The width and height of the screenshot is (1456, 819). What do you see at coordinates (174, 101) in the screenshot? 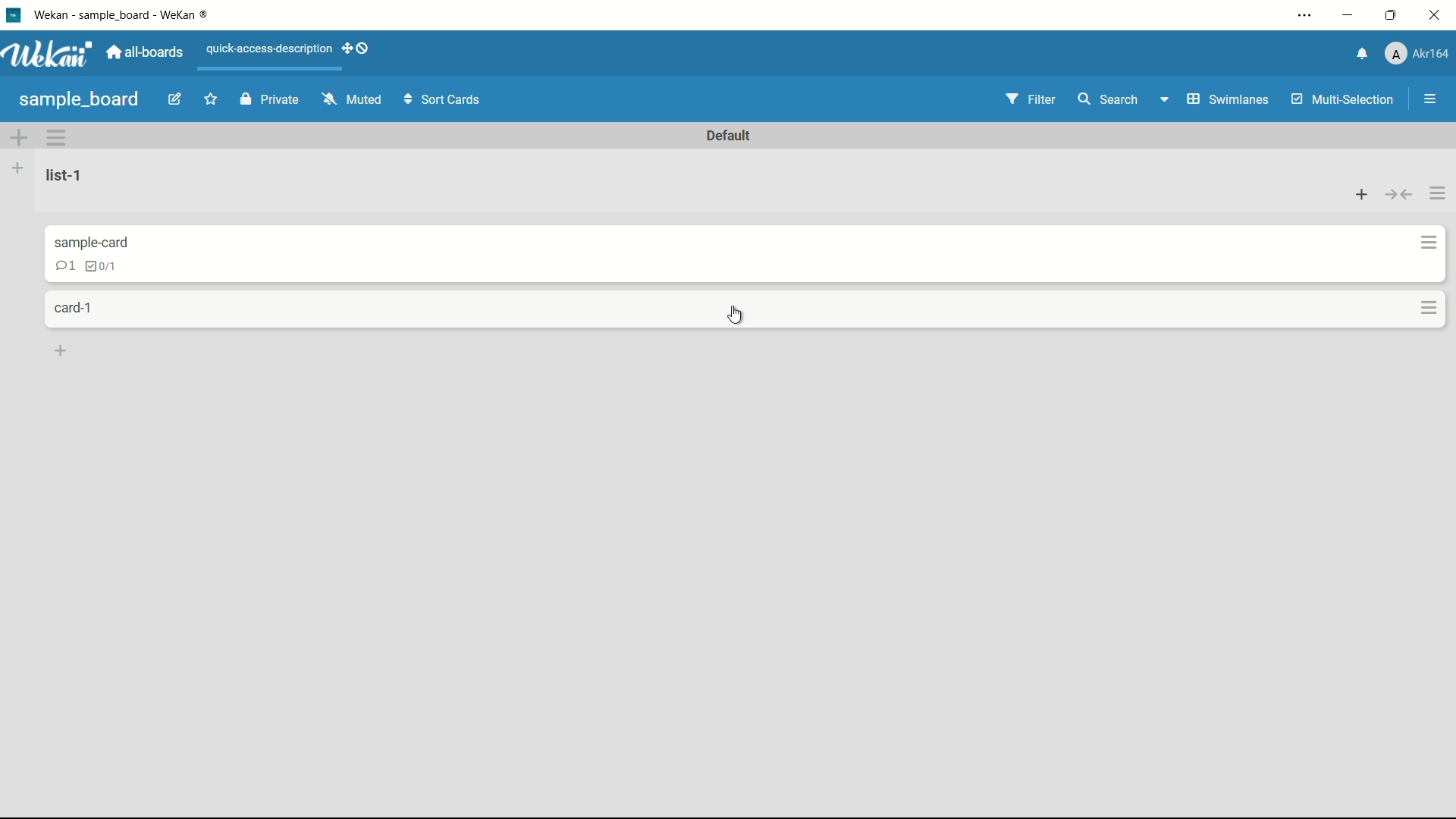
I see `edit` at bounding box center [174, 101].